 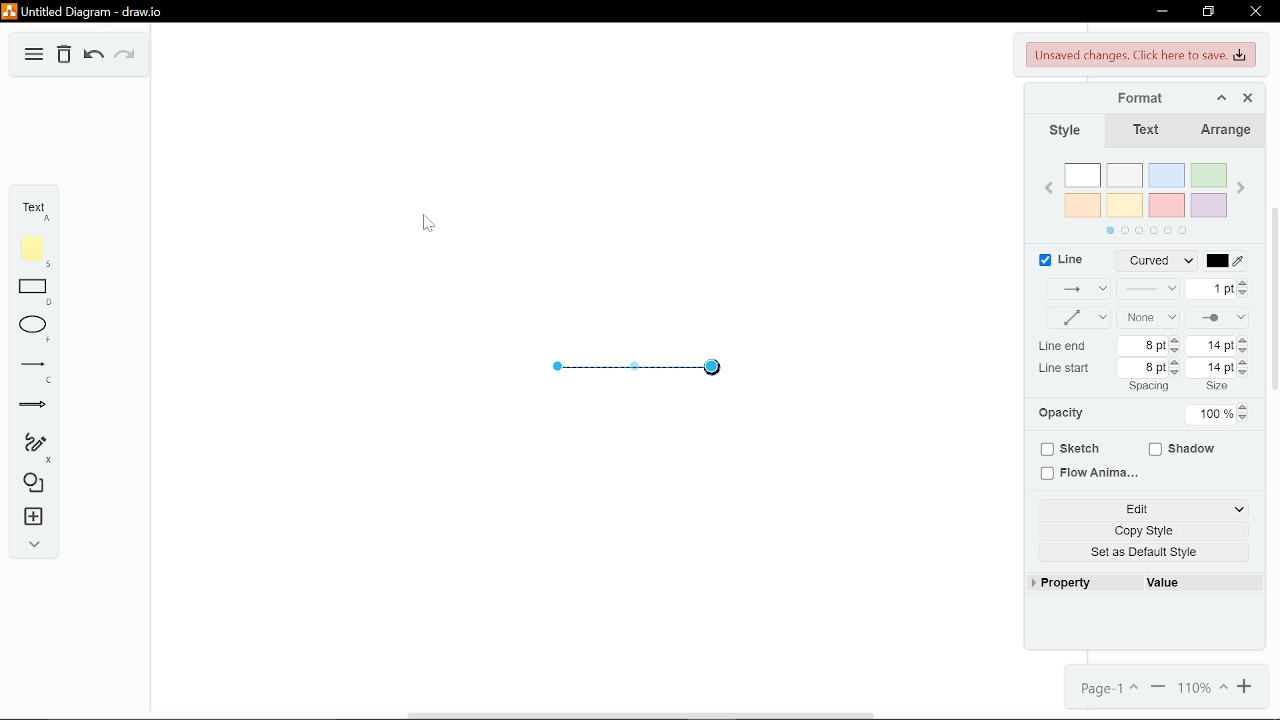 I want to click on spacing, so click(x=1148, y=386).